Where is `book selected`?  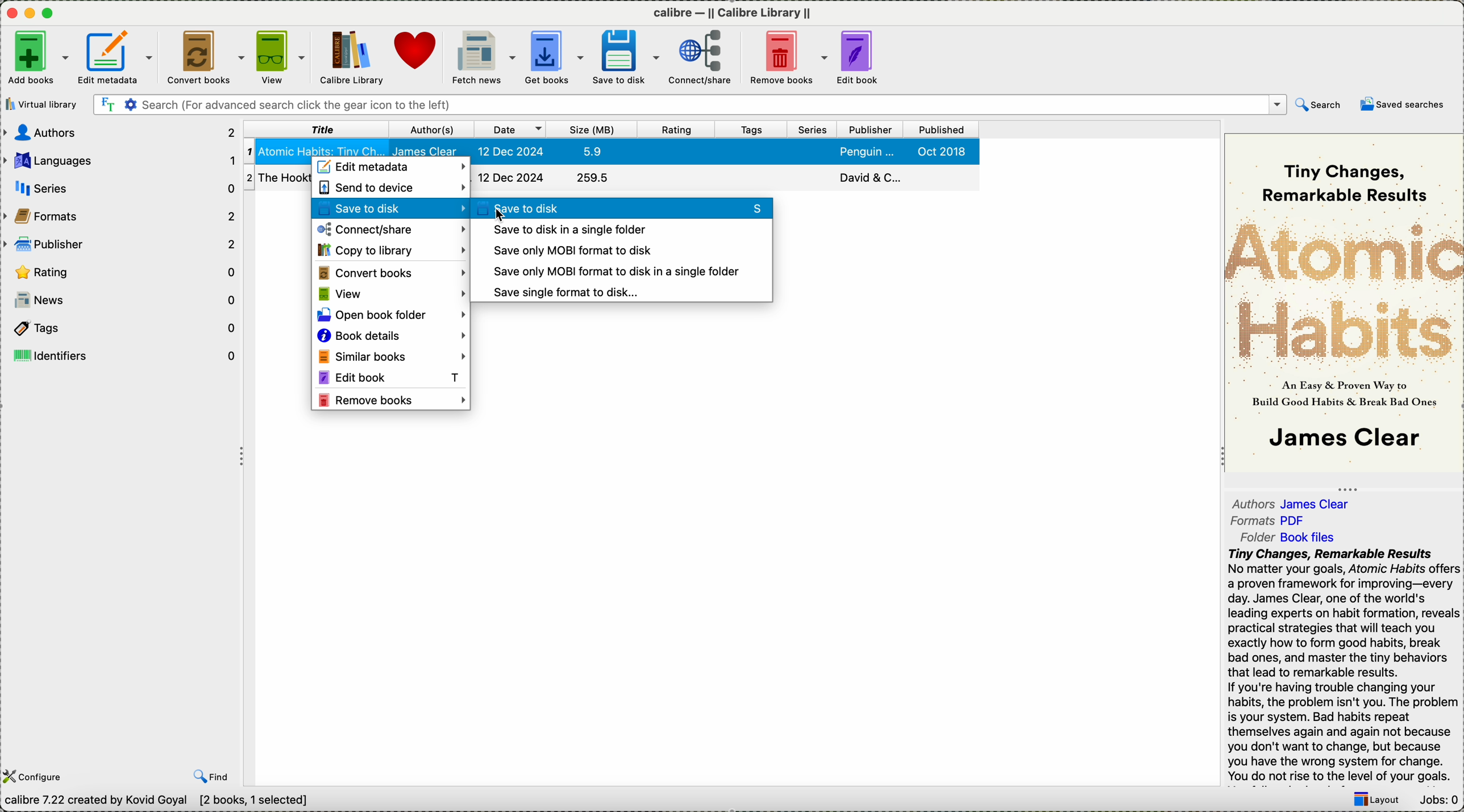 book selected is located at coordinates (612, 149).